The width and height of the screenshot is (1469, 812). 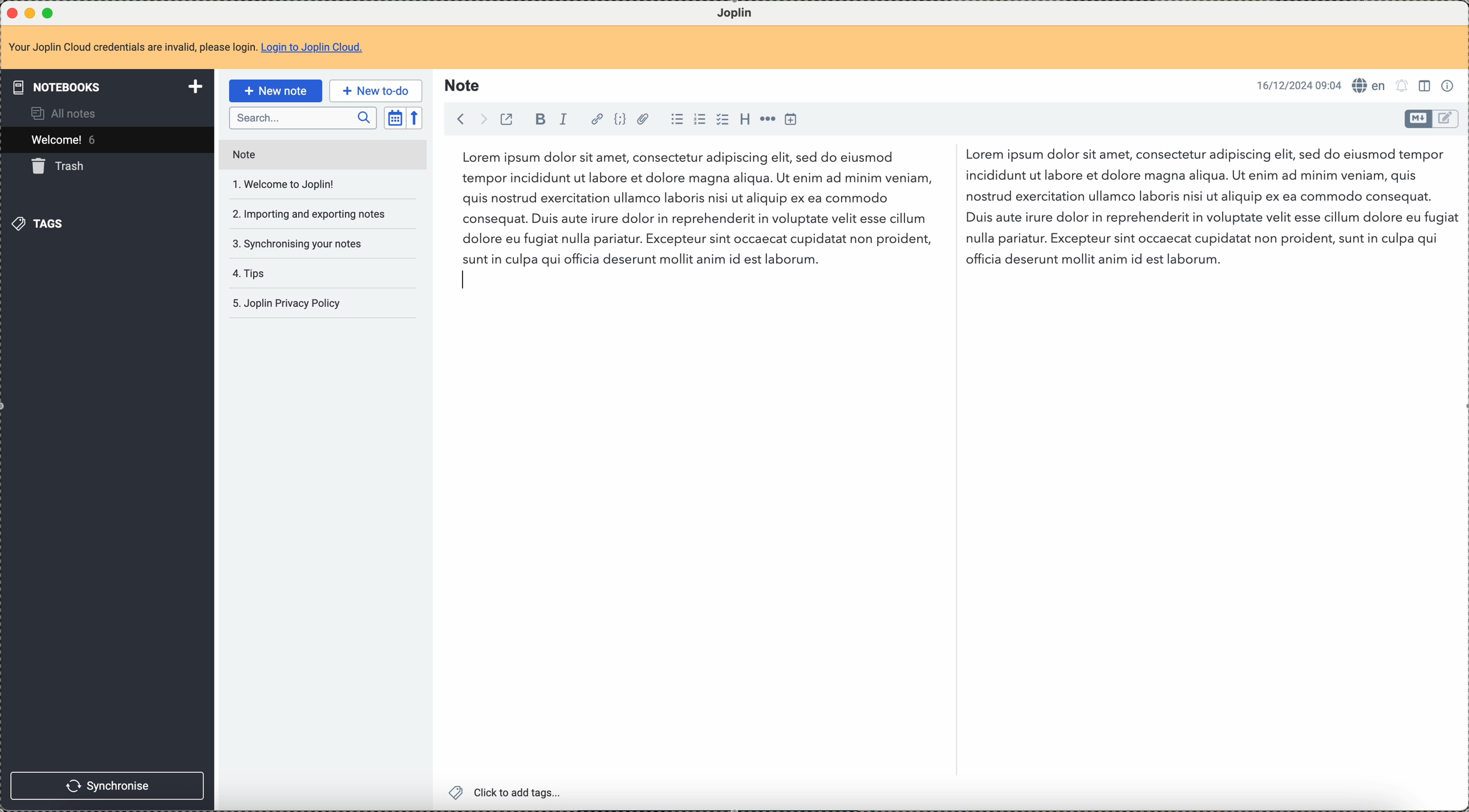 What do you see at coordinates (1427, 87) in the screenshot?
I see `toggle editors layout` at bounding box center [1427, 87].